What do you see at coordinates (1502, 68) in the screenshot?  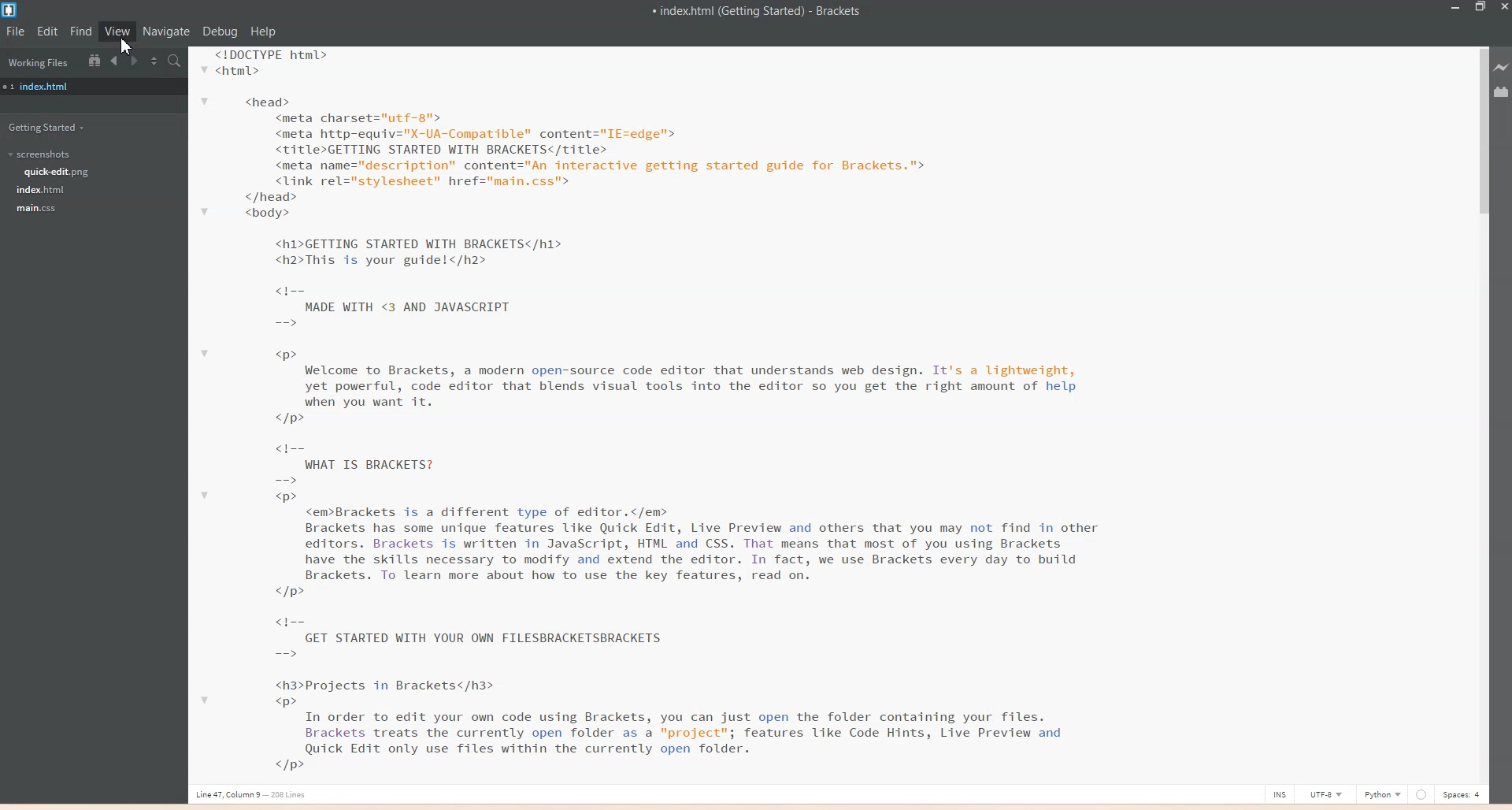 I see `Live Preview` at bounding box center [1502, 68].